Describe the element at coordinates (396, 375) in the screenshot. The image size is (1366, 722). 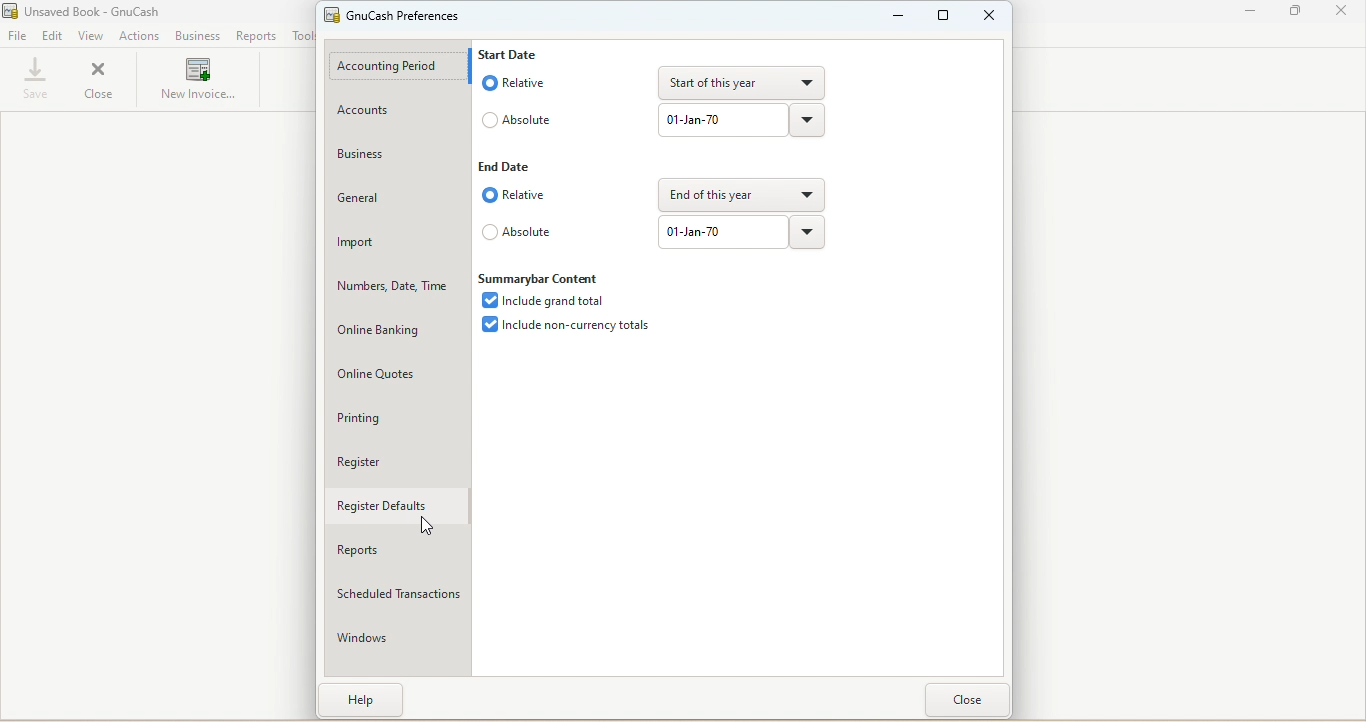
I see `Online quotes` at that location.